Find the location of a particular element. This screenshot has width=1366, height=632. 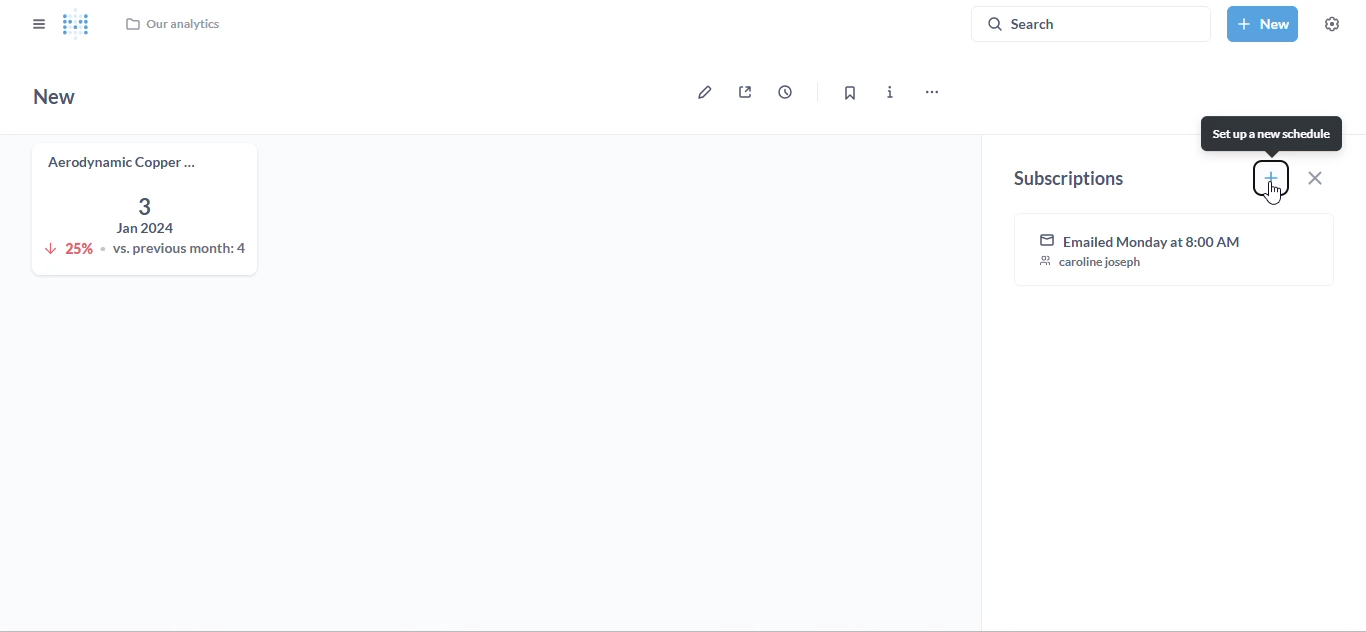

cursor is located at coordinates (1274, 194).